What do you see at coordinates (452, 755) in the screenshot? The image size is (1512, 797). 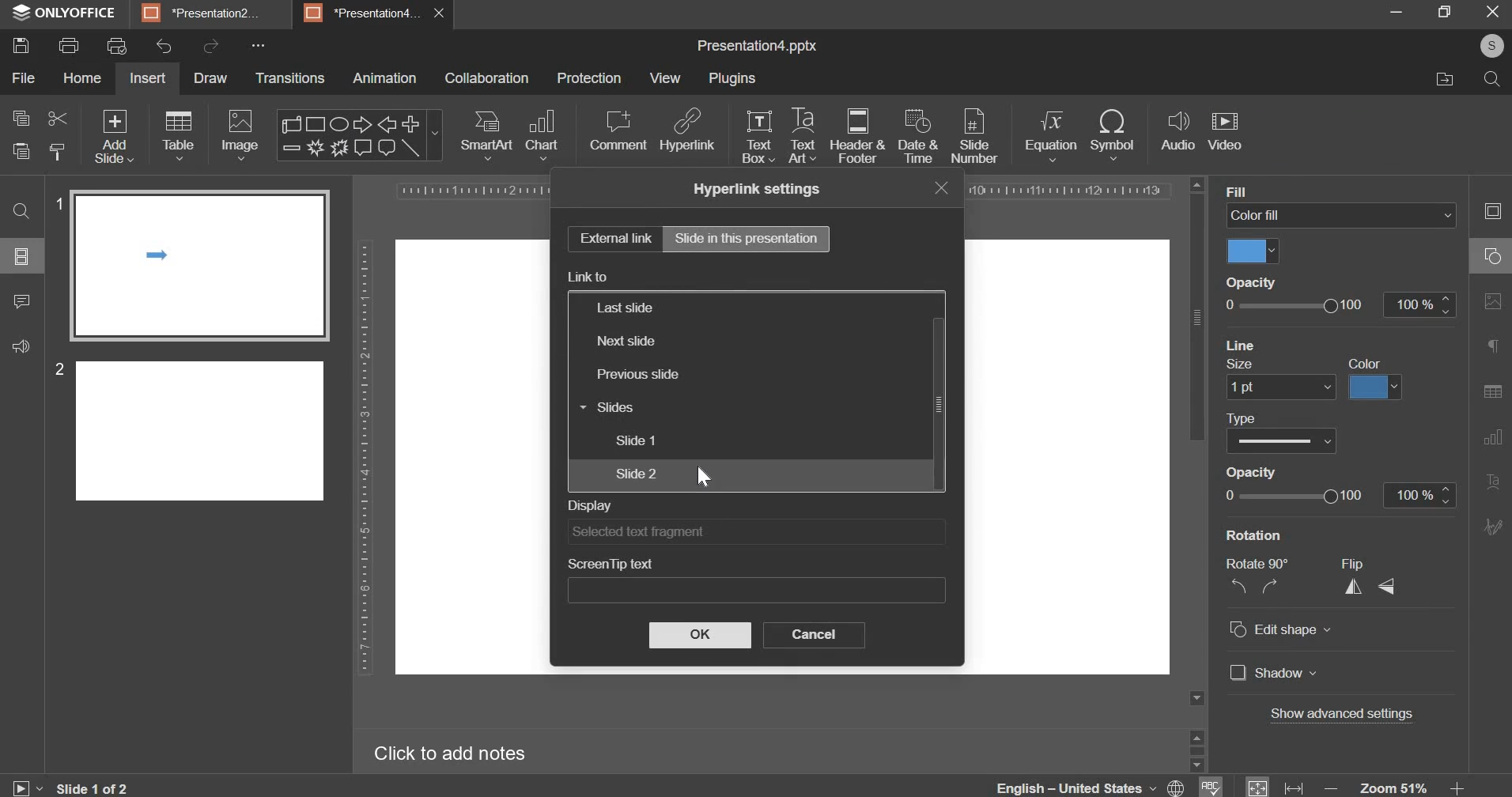 I see `Click to add notes` at bounding box center [452, 755].